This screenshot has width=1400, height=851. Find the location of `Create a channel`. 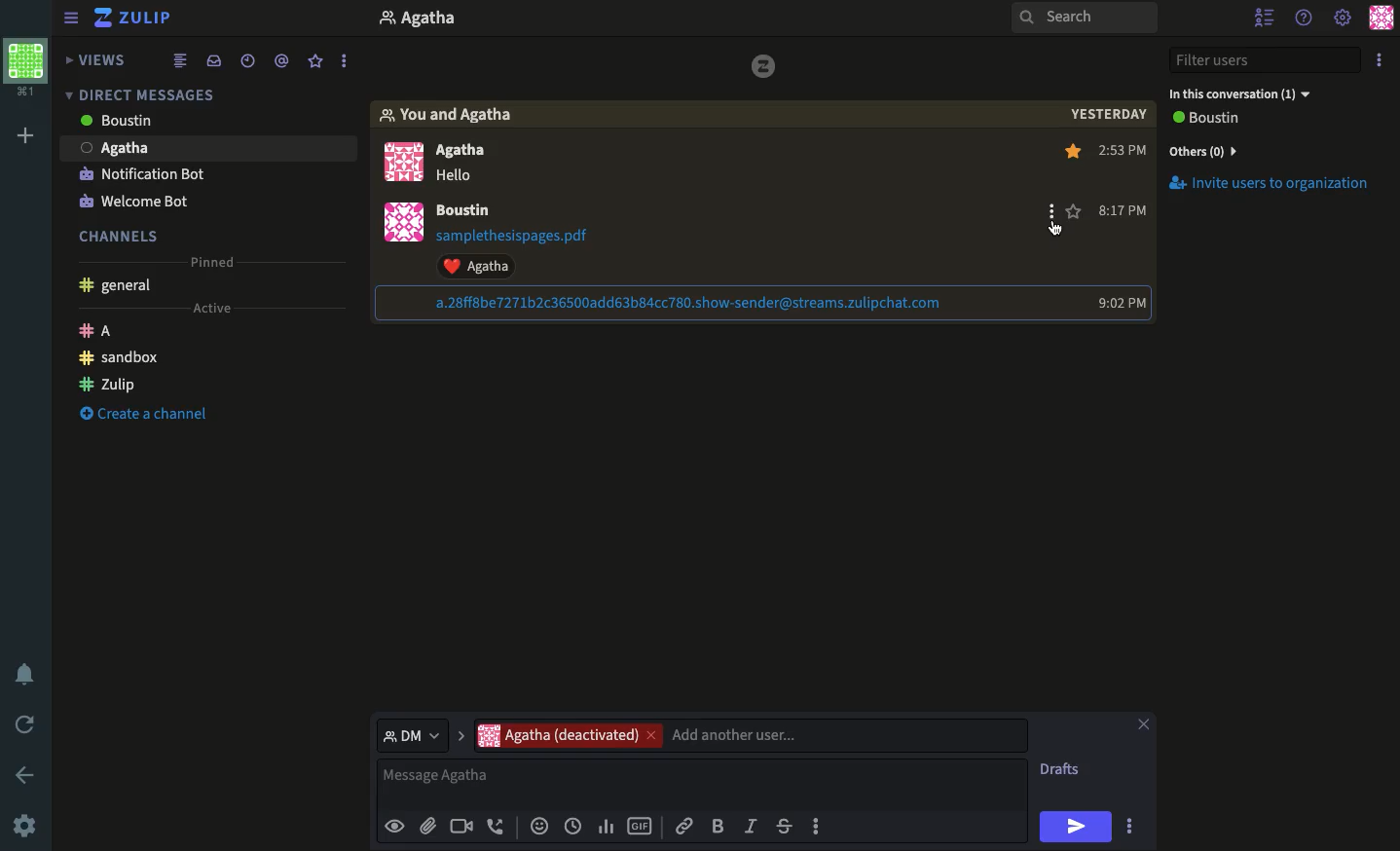

Create a channel is located at coordinates (139, 416).